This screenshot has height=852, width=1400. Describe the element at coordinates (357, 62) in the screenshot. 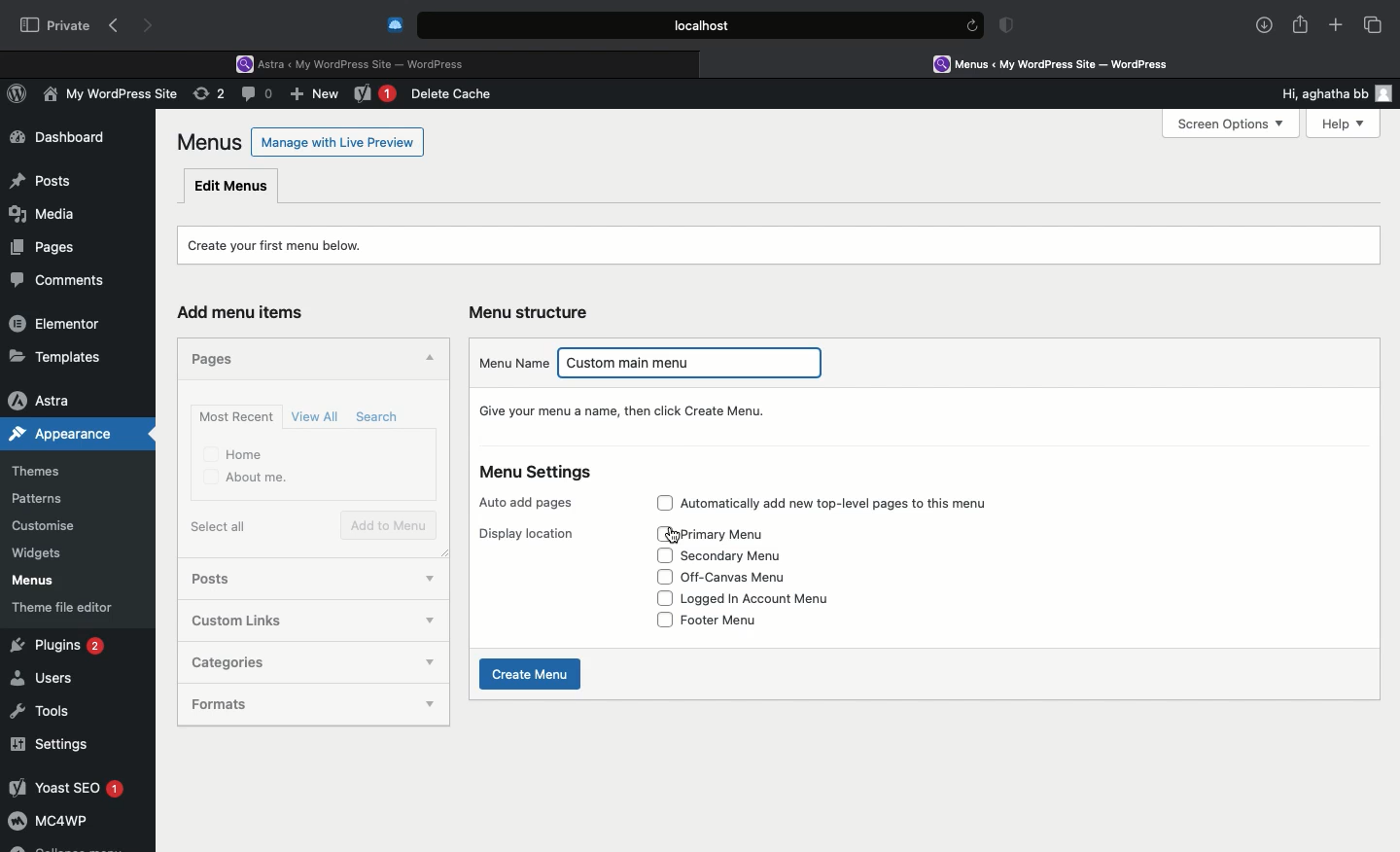

I see `Astra < My WordPress Site - WordPress` at that location.